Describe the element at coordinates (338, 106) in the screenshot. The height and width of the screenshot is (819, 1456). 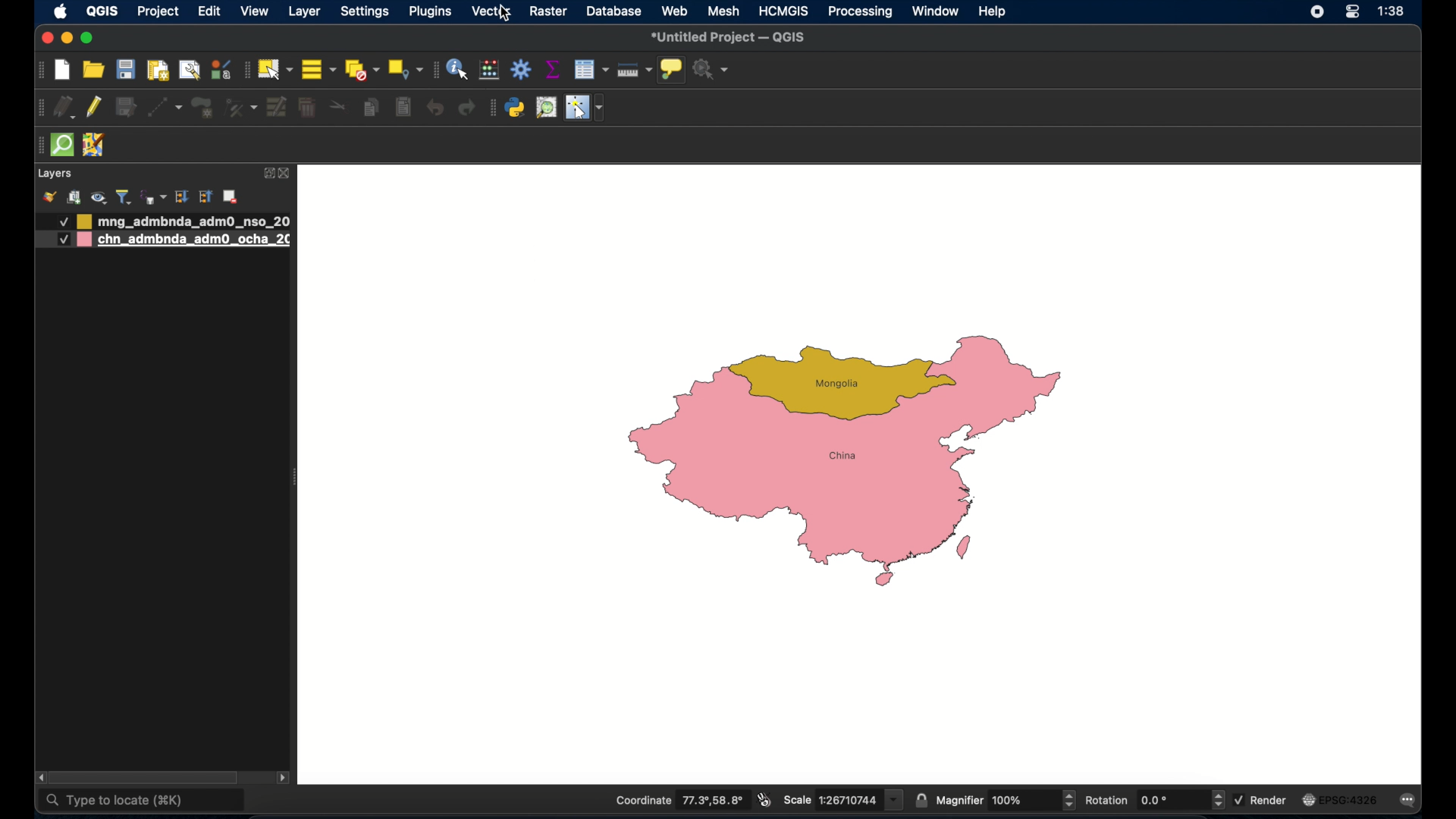
I see `cut features` at that location.